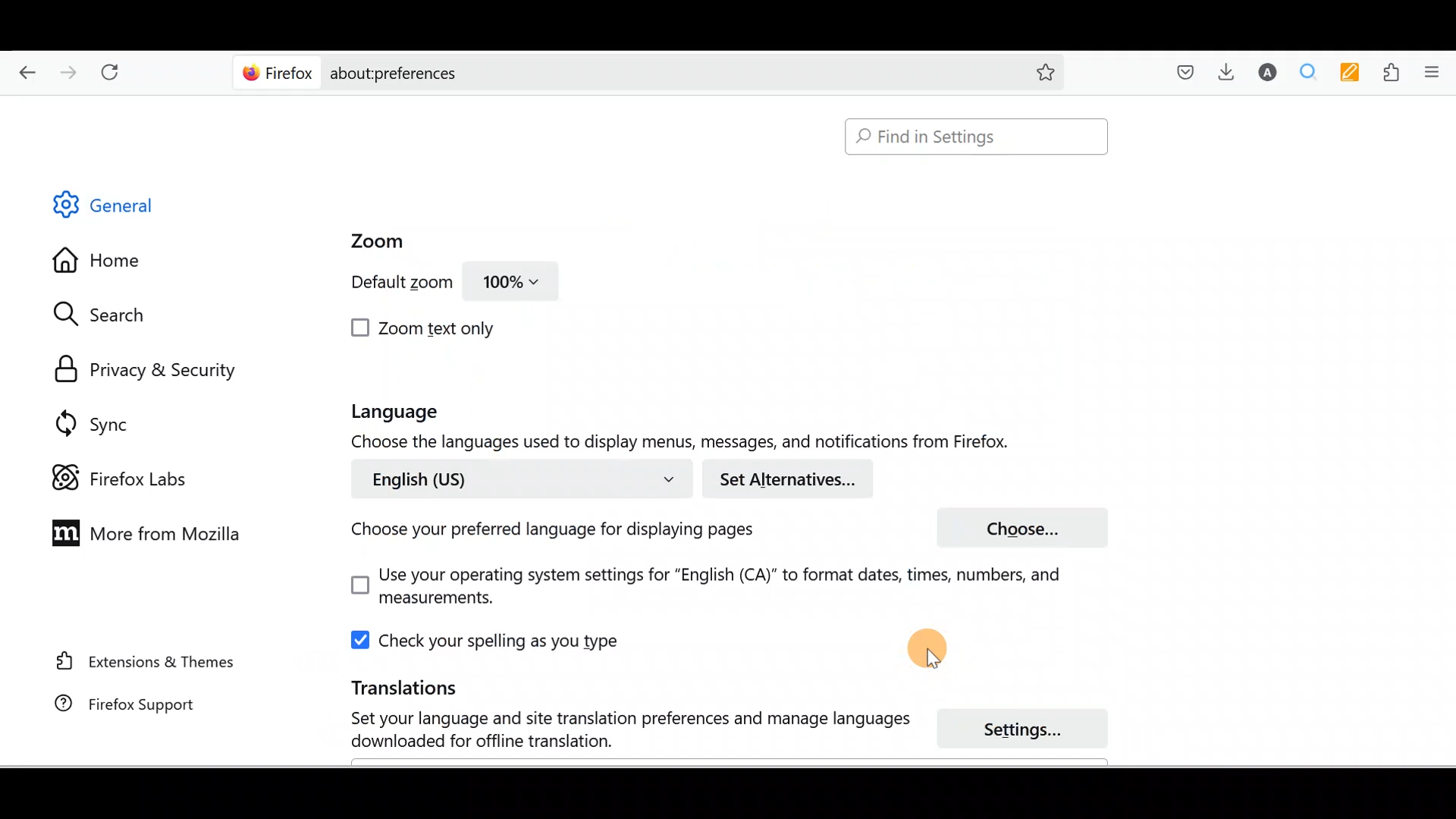 This screenshot has height=819, width=1456. I want to click on General, so click(117, 208).